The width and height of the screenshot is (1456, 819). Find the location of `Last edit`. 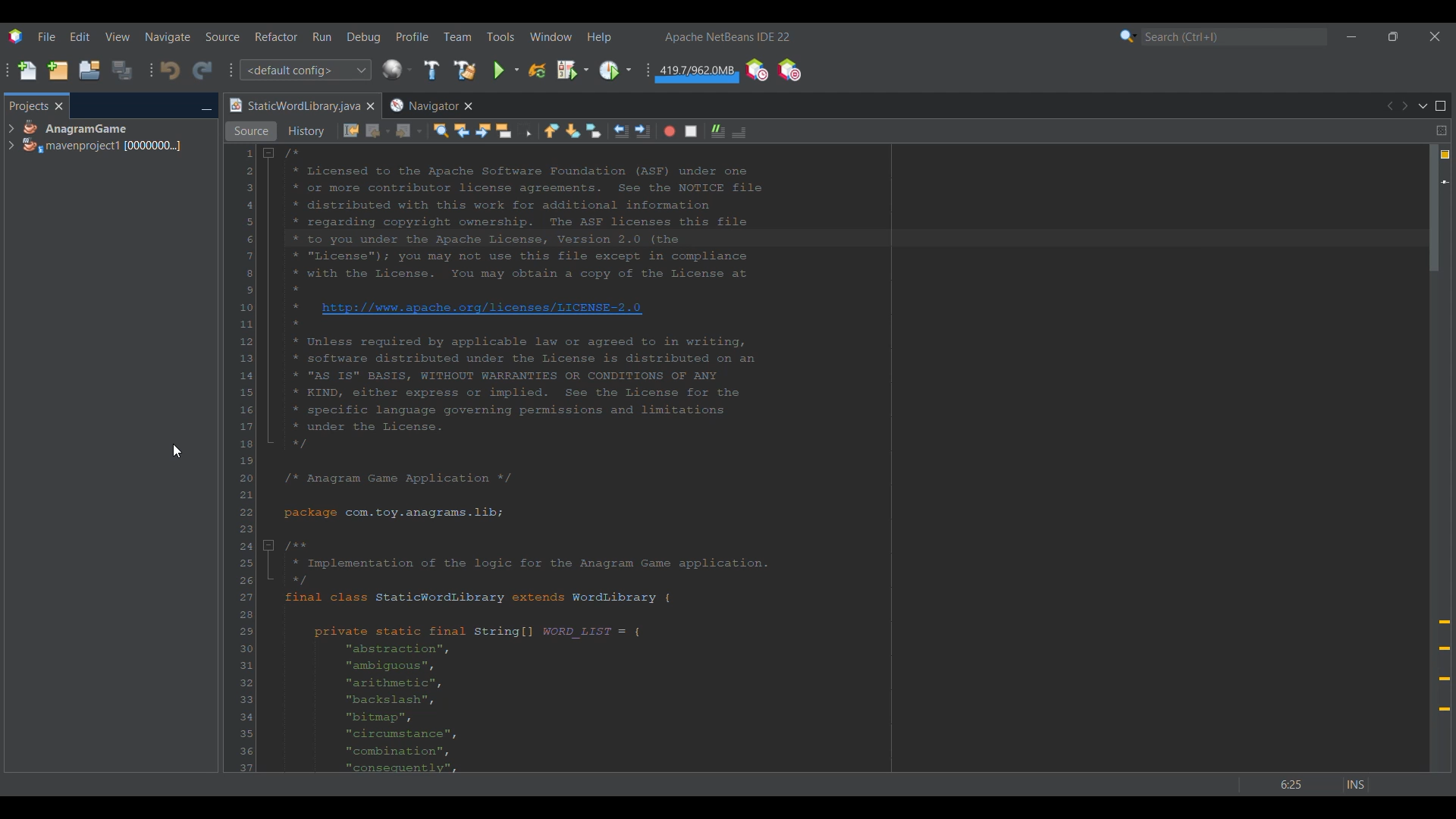

Last edit is located at coordinates (351, 130).